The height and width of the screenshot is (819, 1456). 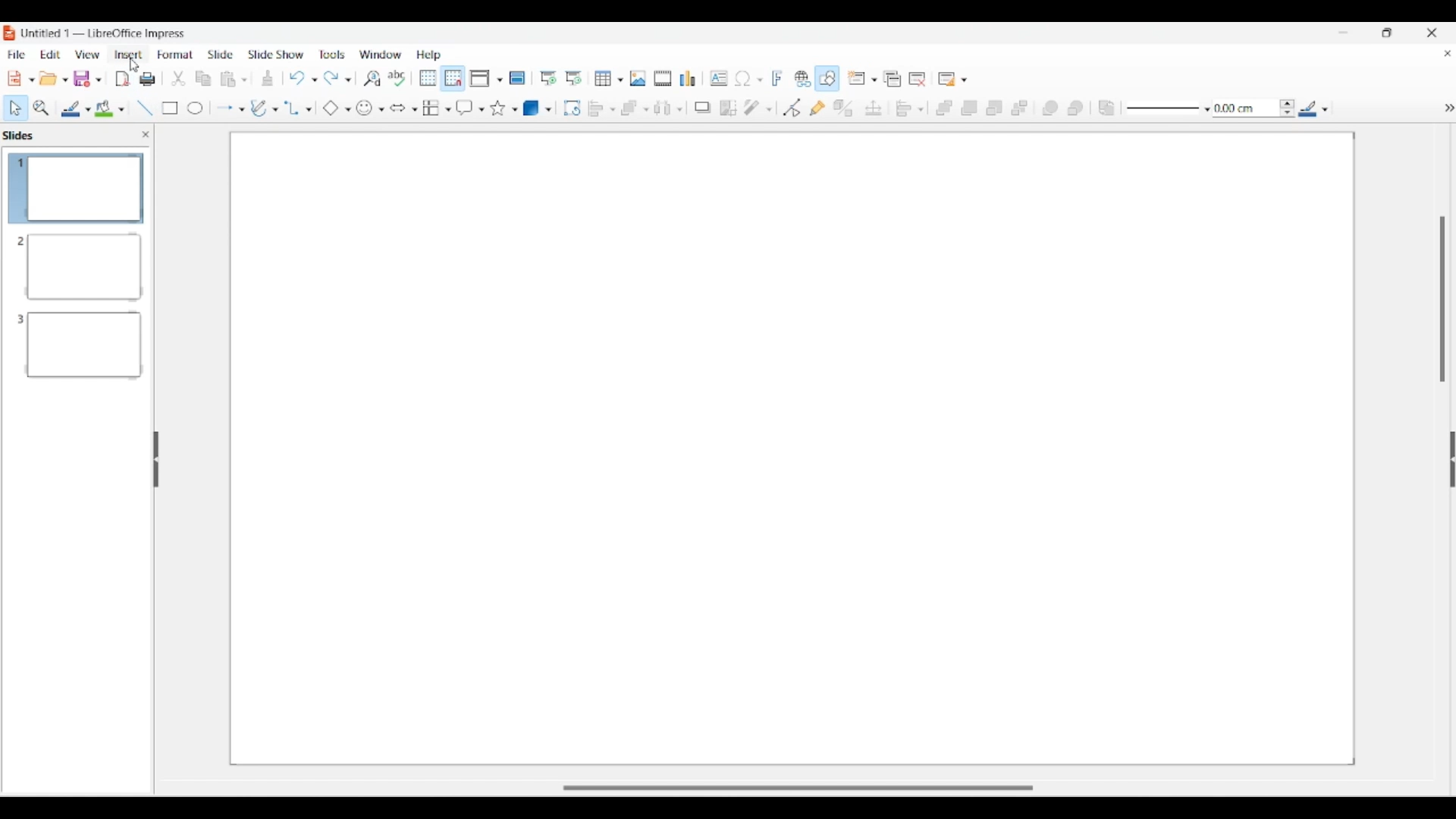 I want to click on Insert menu, so click(x=128, y=55).